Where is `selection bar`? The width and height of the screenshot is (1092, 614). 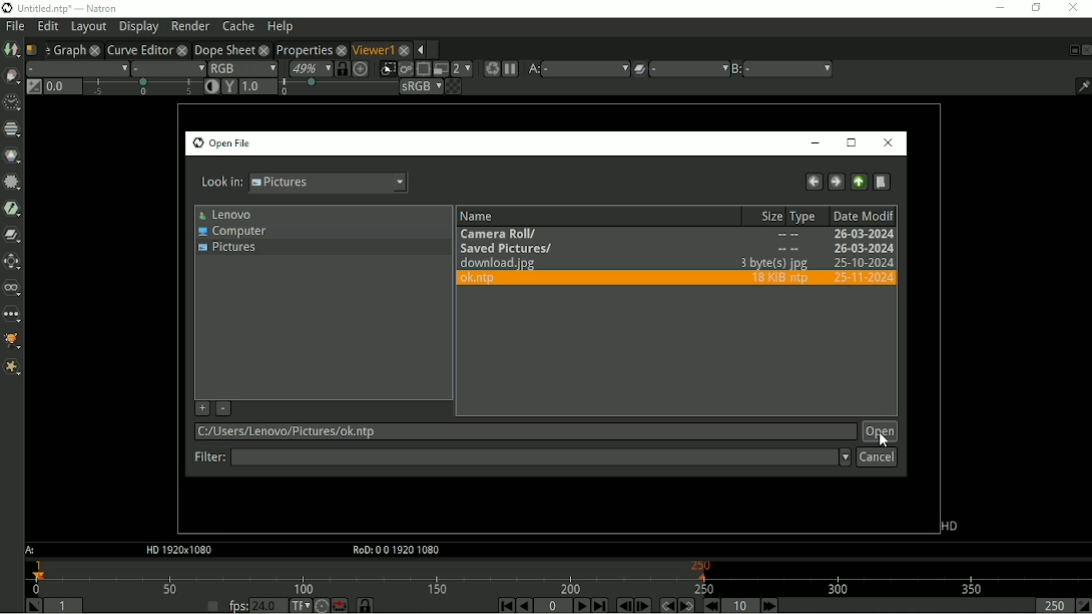 selection bar is located at coordinates (337, 87).